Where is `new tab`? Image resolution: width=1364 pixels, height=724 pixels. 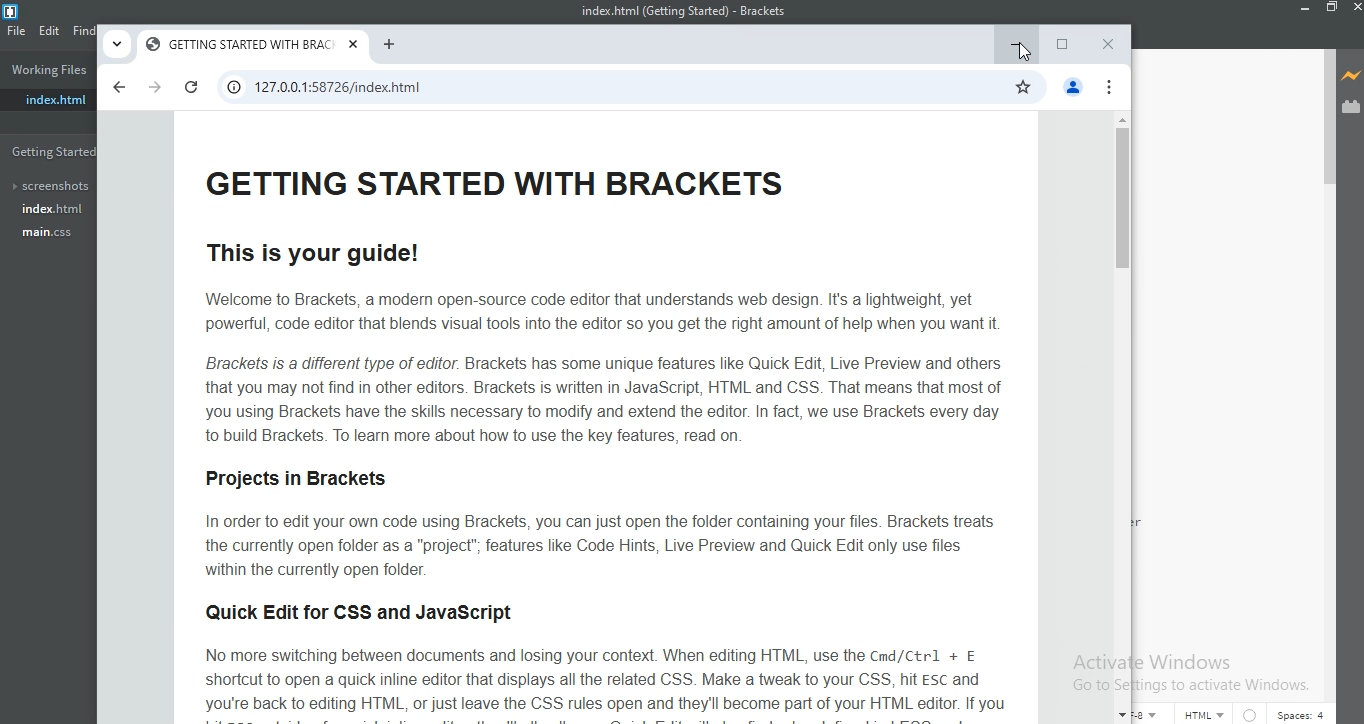
new tab is located at coordinates (389, 47).